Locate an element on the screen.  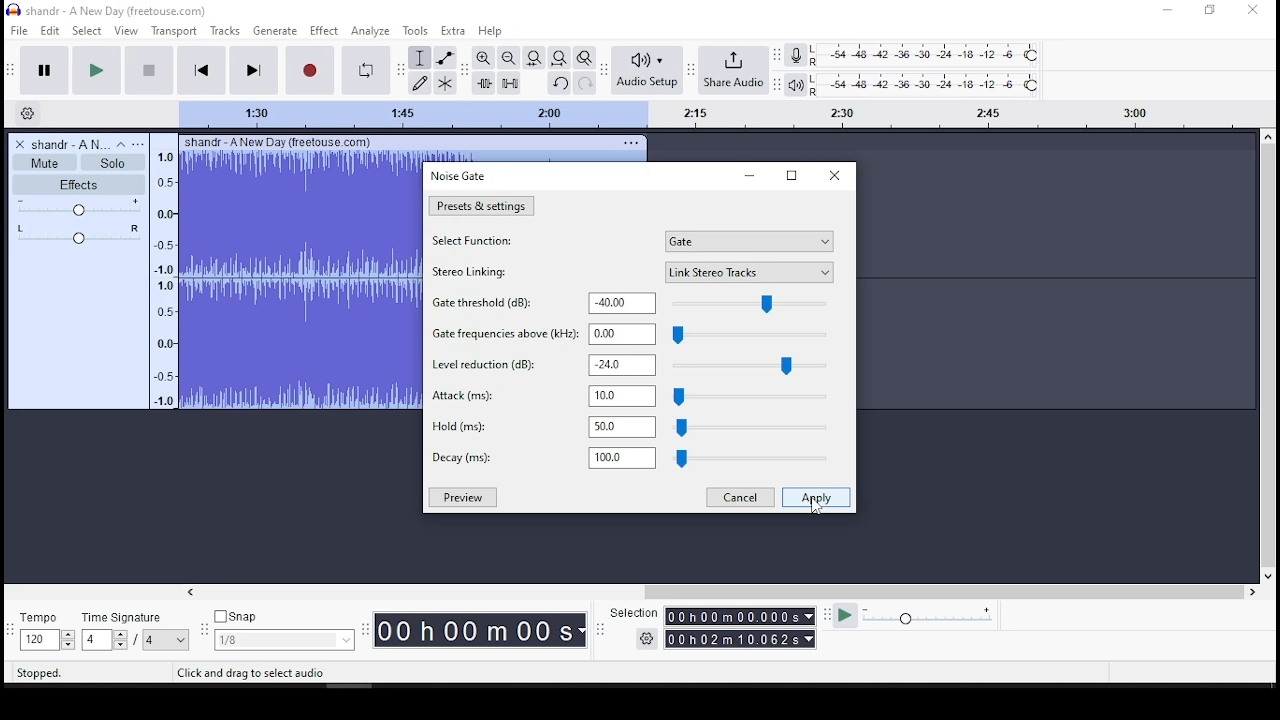
fit selection to width is located at coordinates (533, 57).